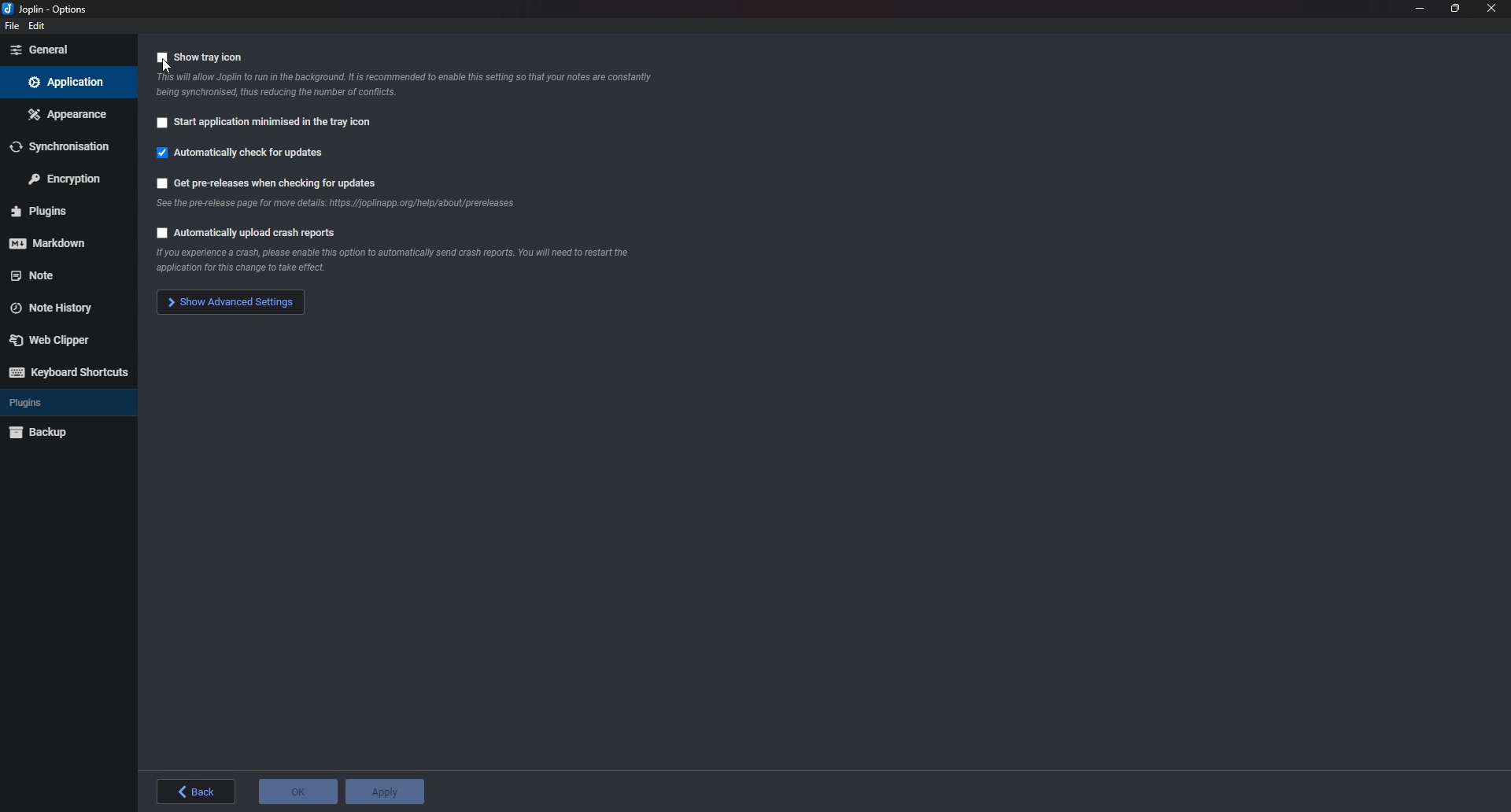 This screenshot has height=812, width=1511. Describe the element at coordinates (412, 85) in the screenshot. I see `info` at that location.